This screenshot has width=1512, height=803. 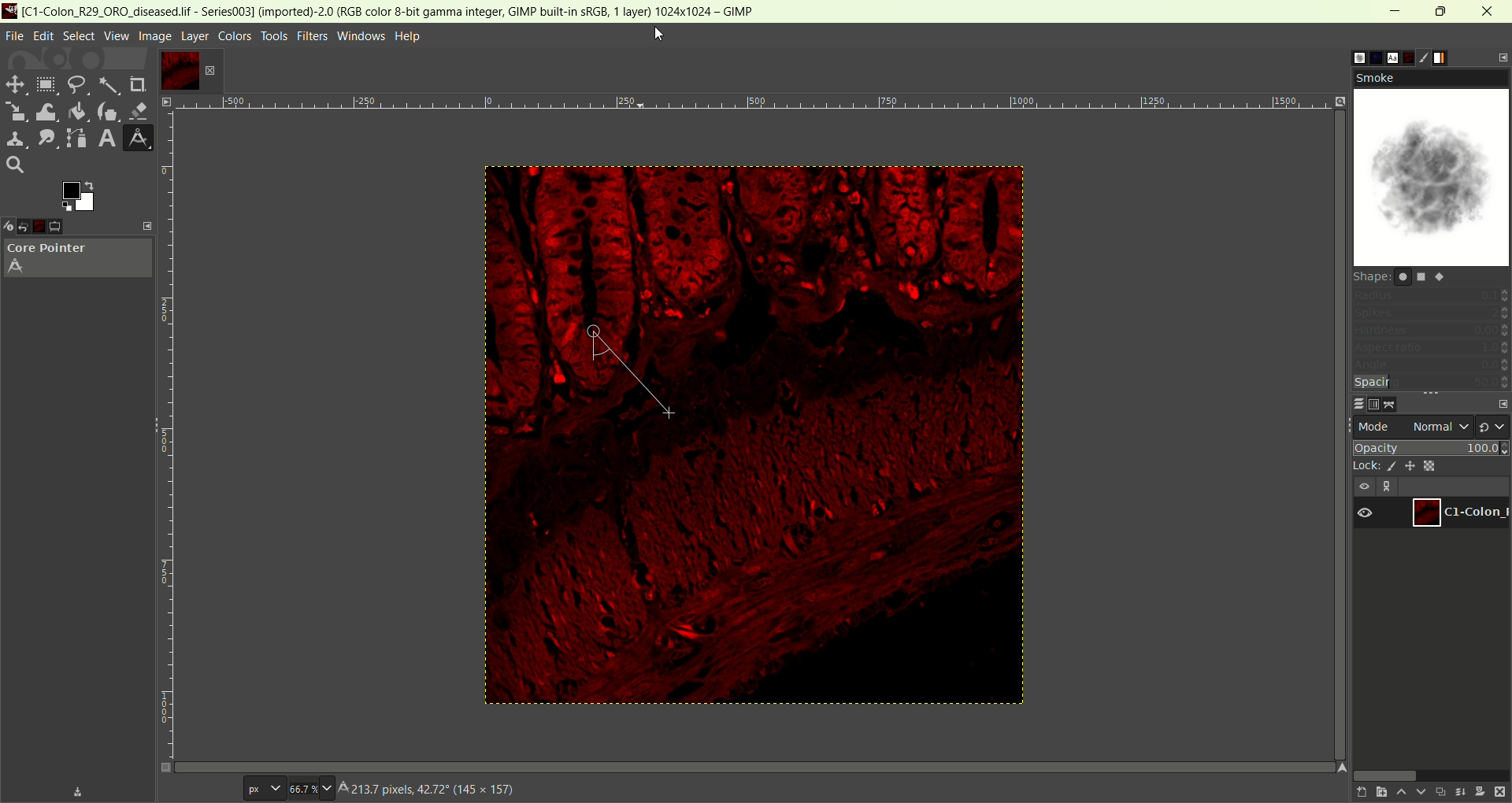 I want to click on hardness, so click(x=1431, y=331).